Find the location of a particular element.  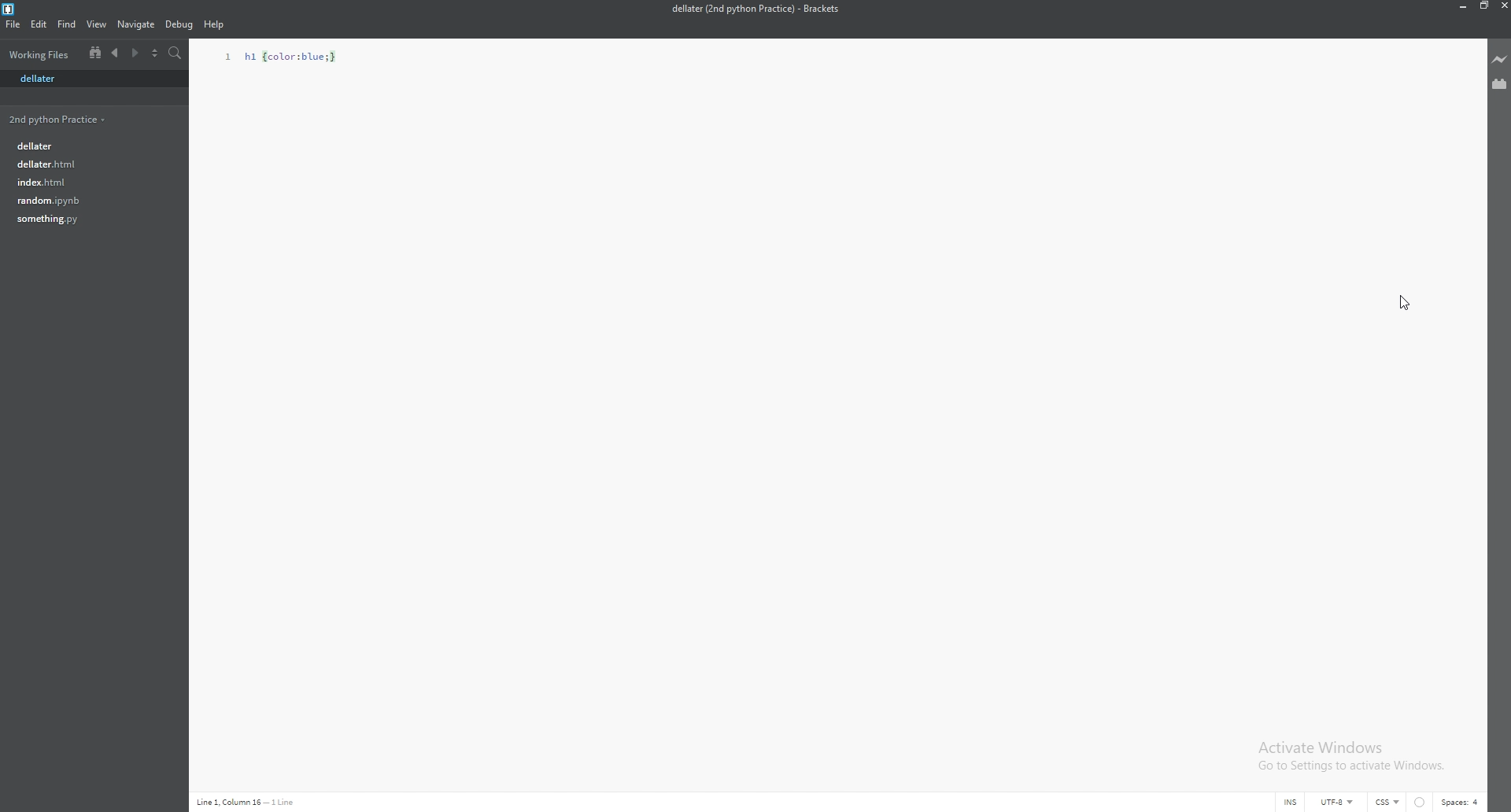

search is located at coordinates (176, 54).